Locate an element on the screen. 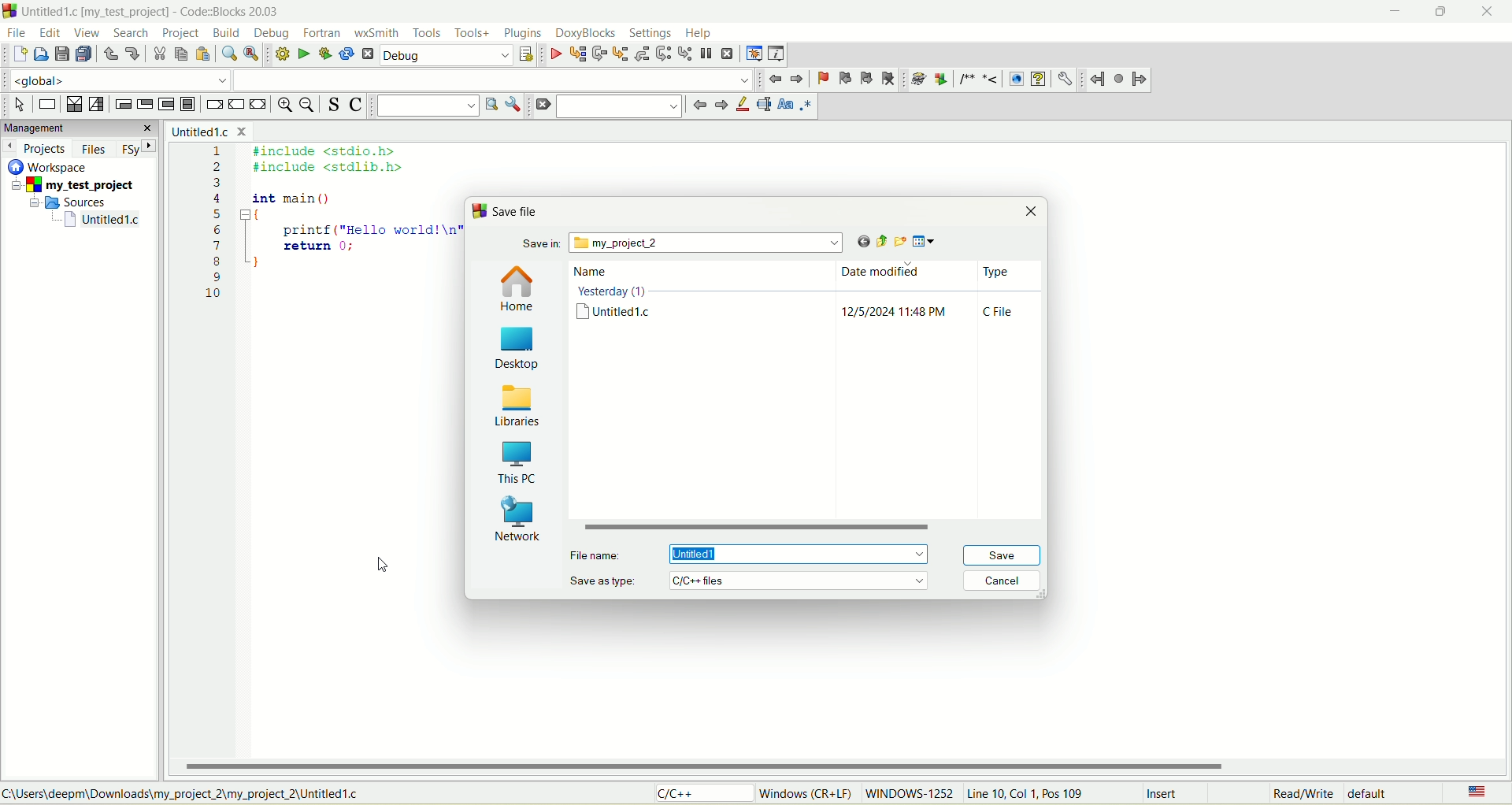 Image resolution: width=1512 pixels, height=805 pixels. workspace is located at coordinates (51, 166).